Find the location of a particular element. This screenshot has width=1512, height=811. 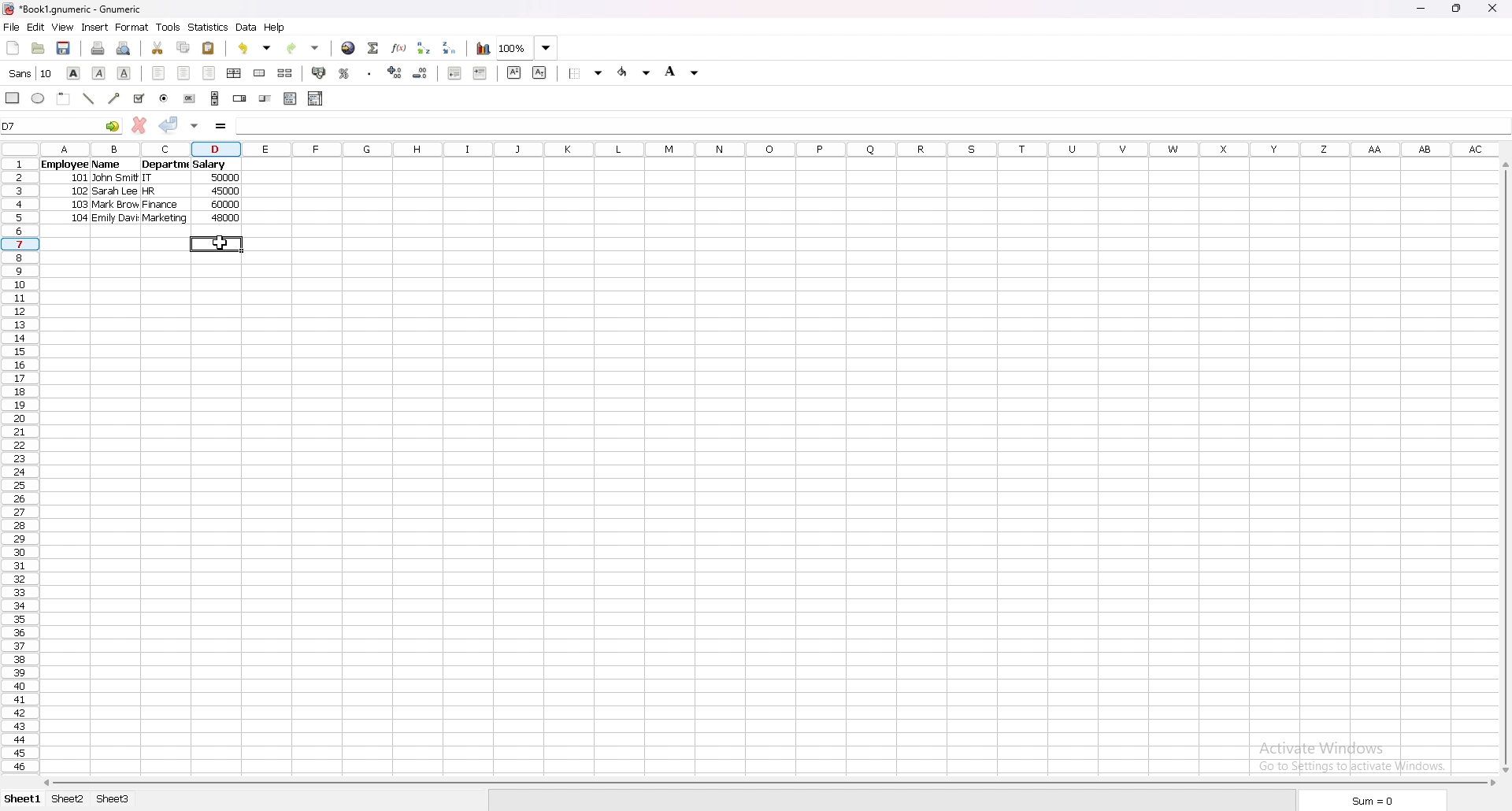

increase decimal is located at coordinates (395, 72).